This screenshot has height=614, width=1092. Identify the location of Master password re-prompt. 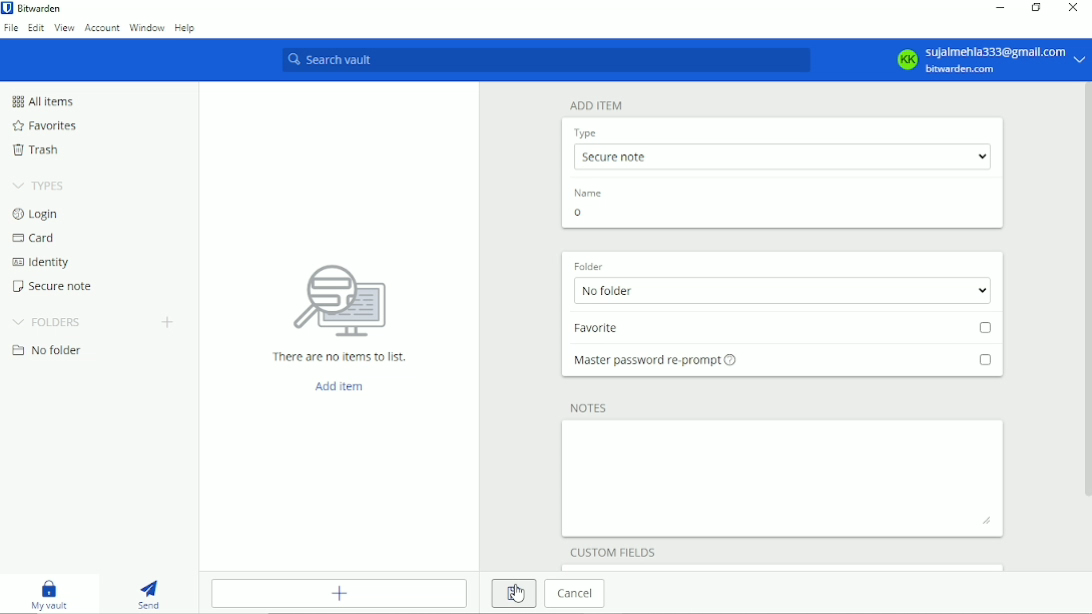
(782, 364).